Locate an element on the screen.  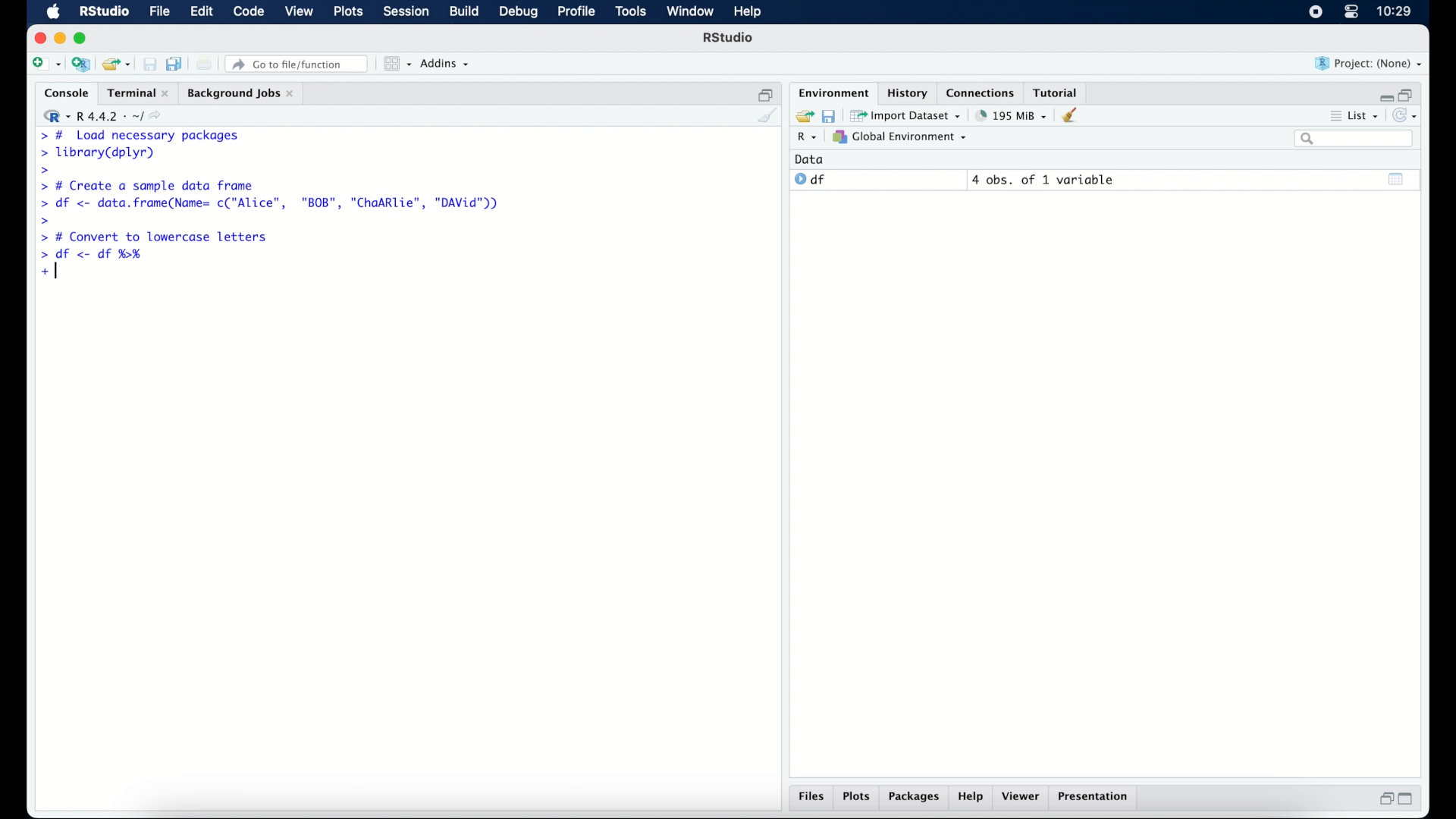
R Studio is located at coordinates (104, 12).